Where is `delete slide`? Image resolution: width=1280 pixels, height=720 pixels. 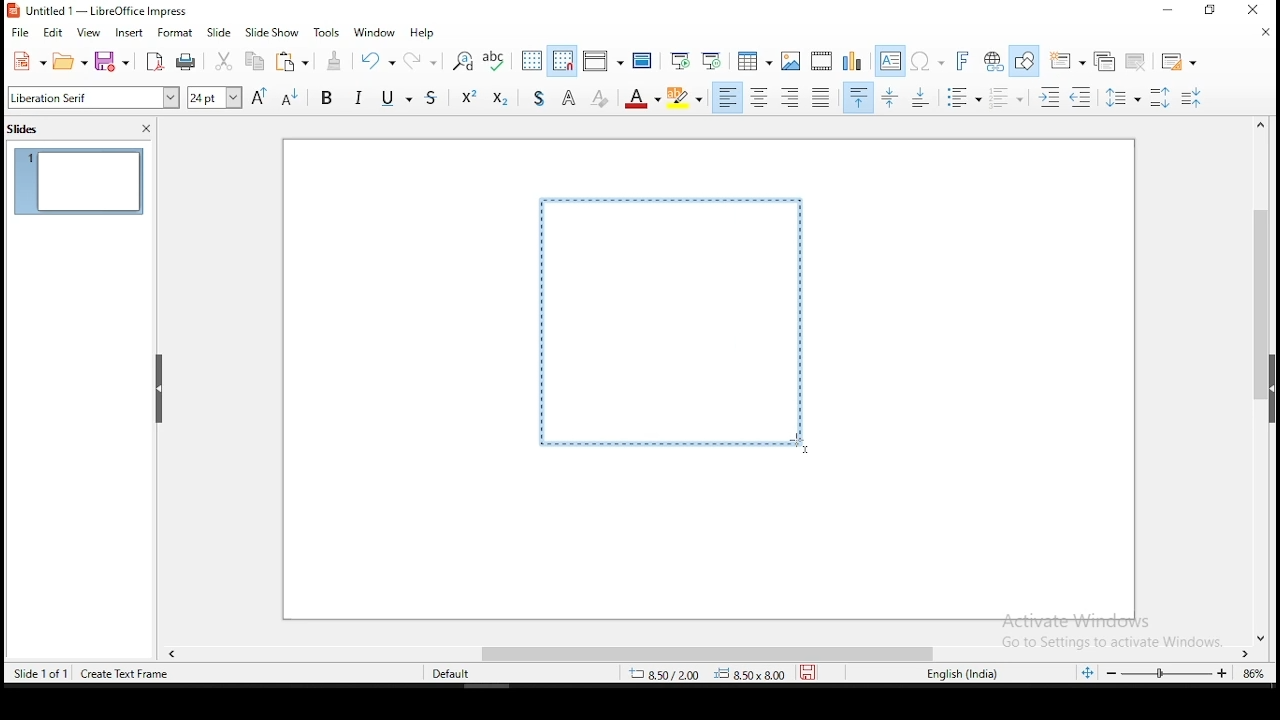
delete slide is located at coordinates (1137, 59).